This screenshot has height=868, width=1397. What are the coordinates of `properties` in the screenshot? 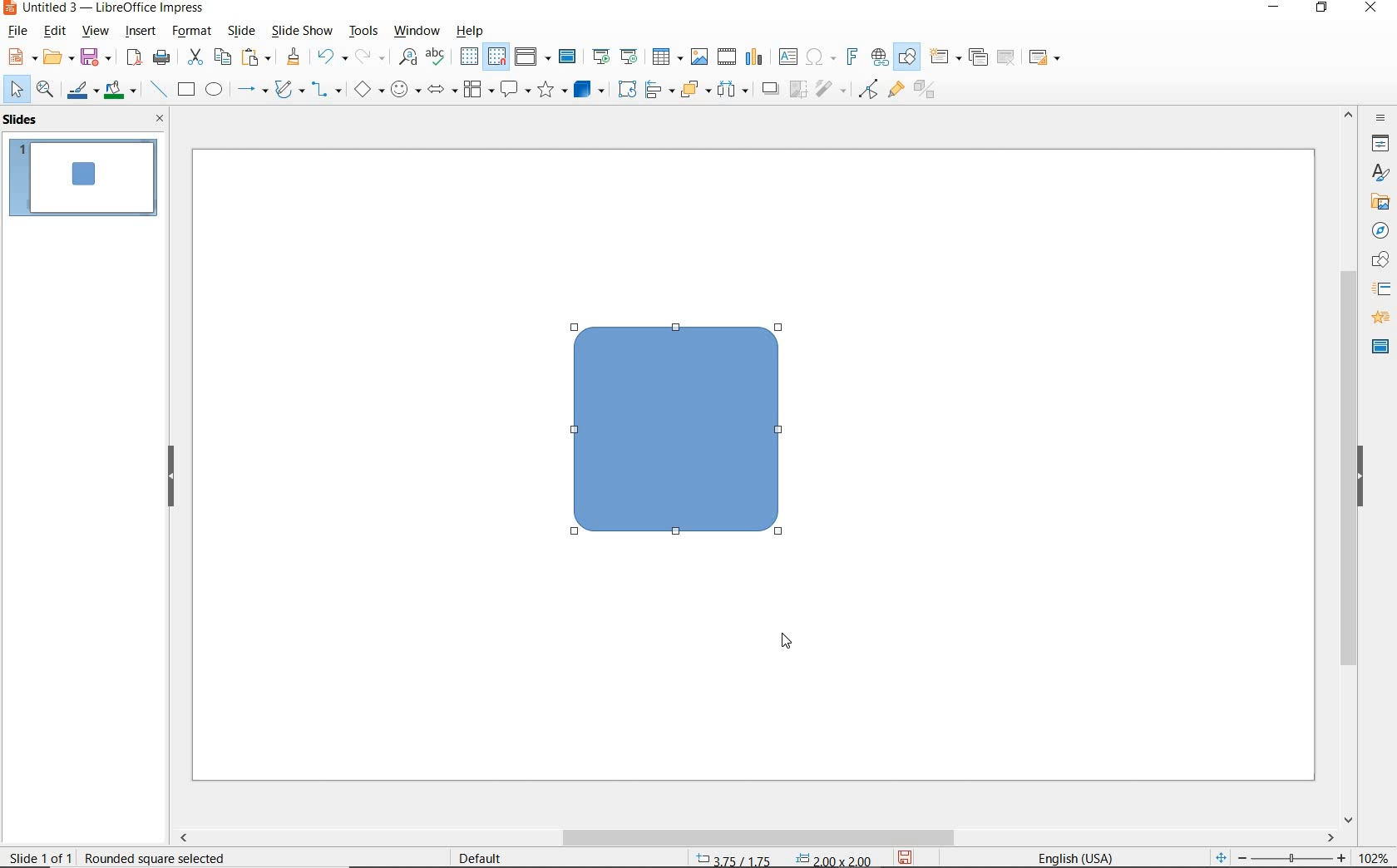 It's located at (1378, 145).